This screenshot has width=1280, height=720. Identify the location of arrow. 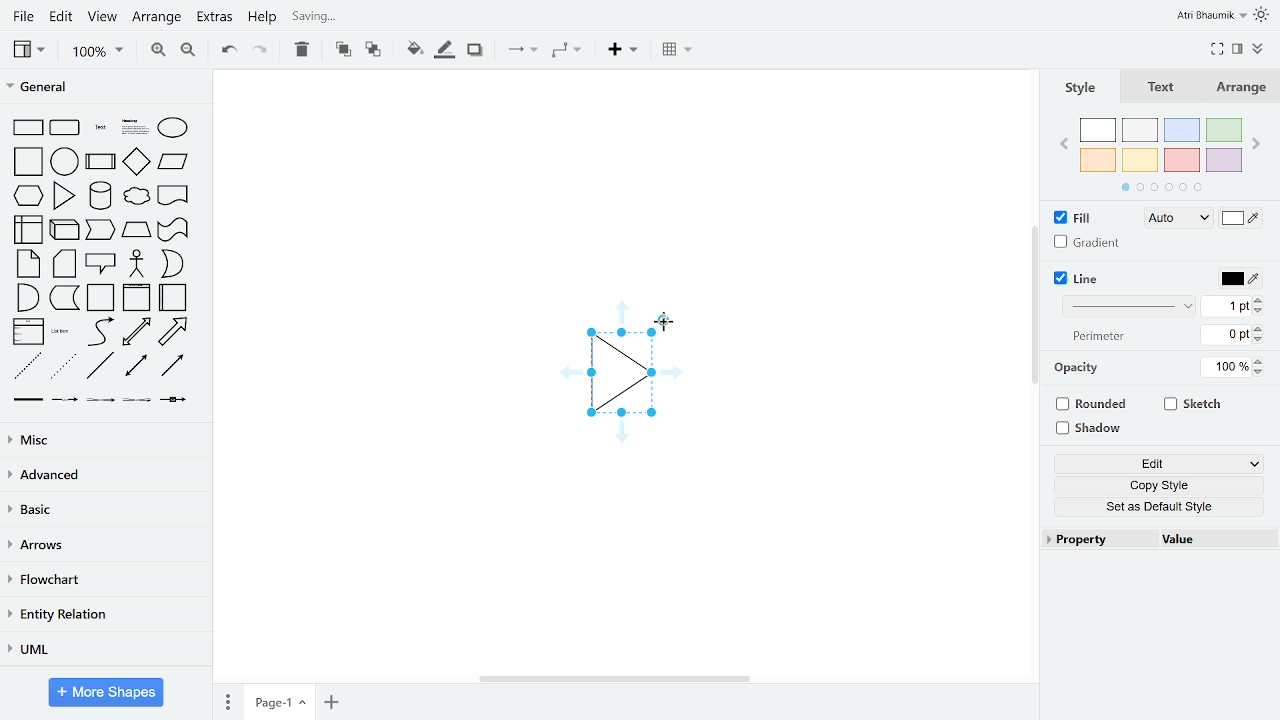
(177, 331).